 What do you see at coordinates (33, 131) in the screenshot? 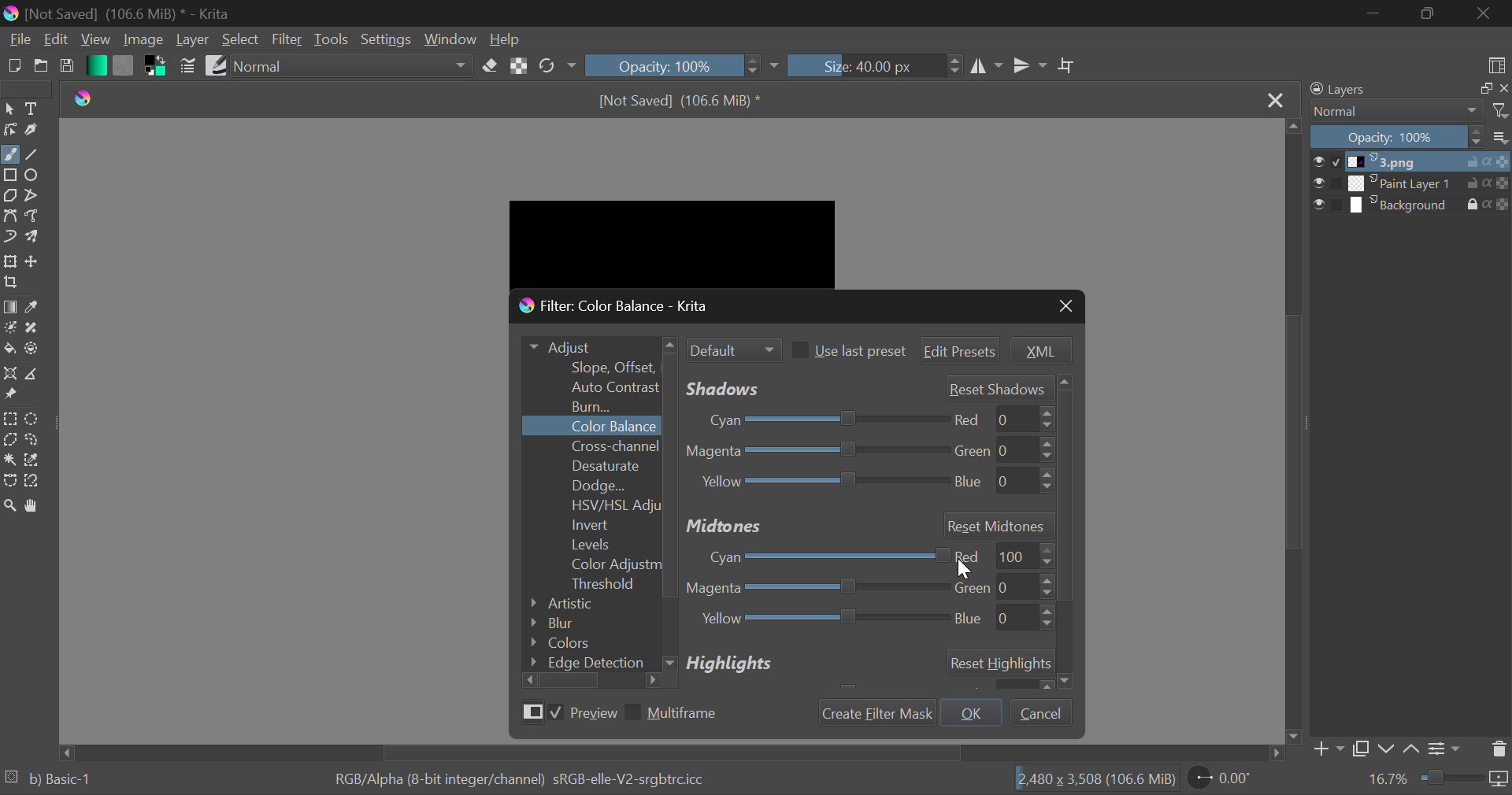
I see `Calligraphic Tool` at bounding box center [33, 131].